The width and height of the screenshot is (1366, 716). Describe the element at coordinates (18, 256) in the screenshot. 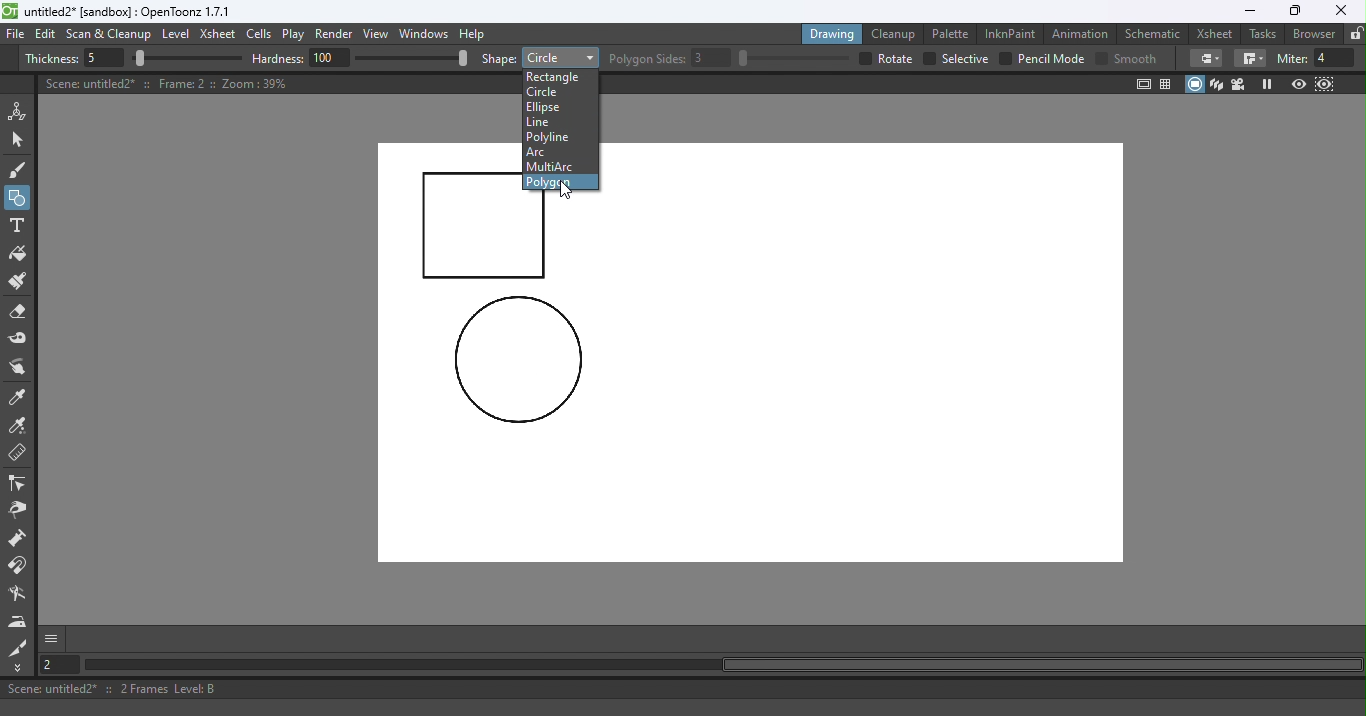

I see `Fill tool` at that location.